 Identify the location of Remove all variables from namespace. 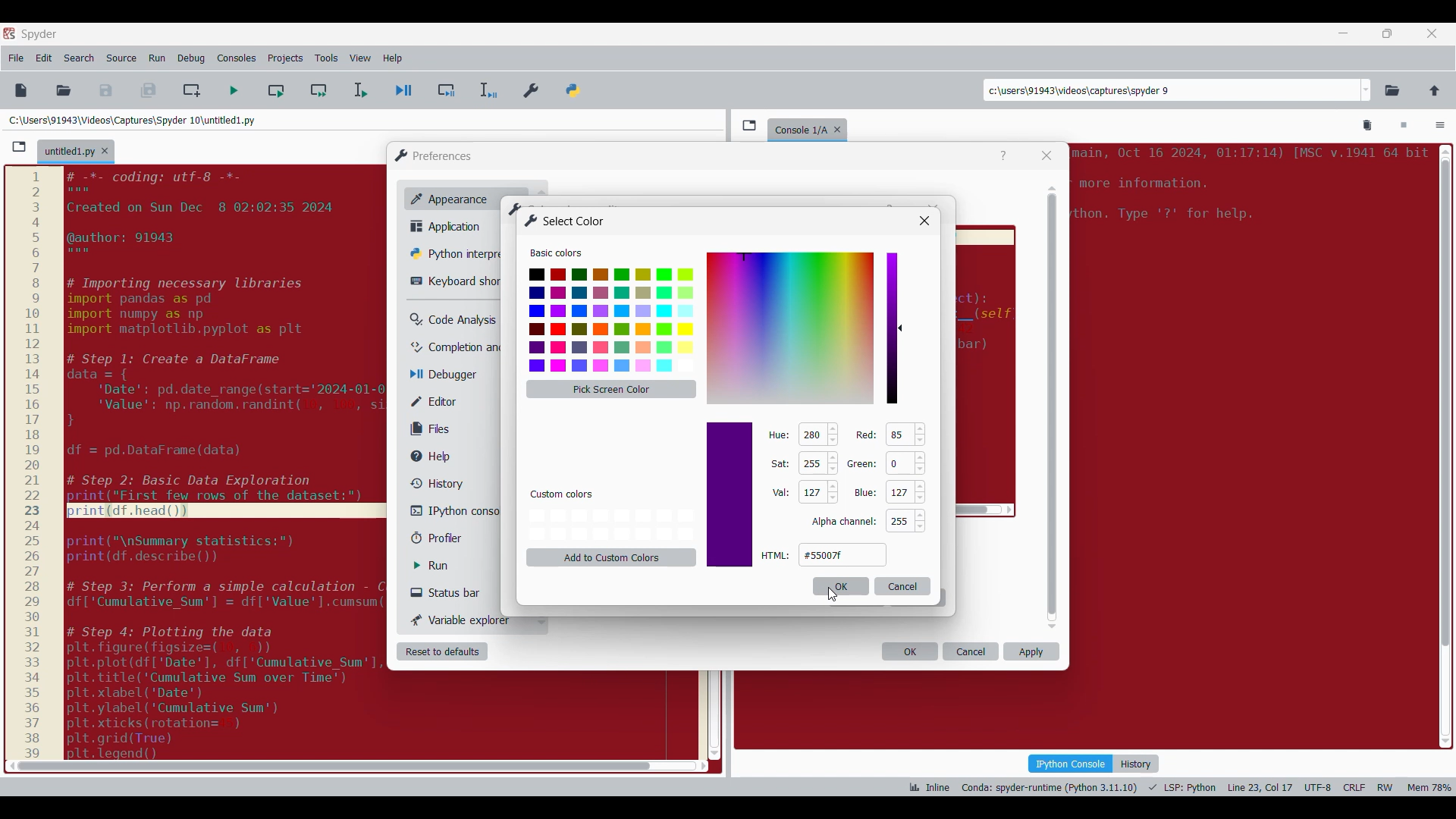
(1368, 126).